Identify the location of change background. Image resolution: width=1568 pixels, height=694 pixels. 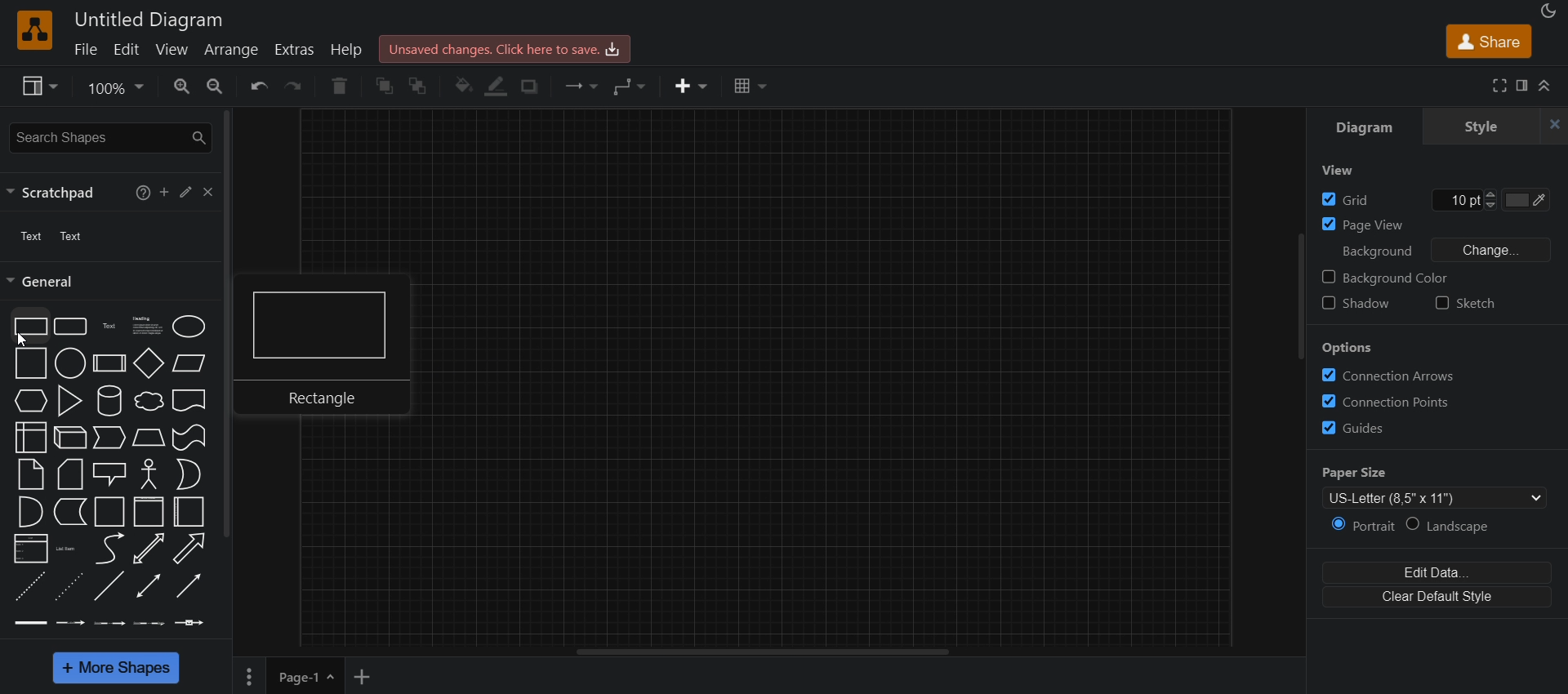
(1494, 251).